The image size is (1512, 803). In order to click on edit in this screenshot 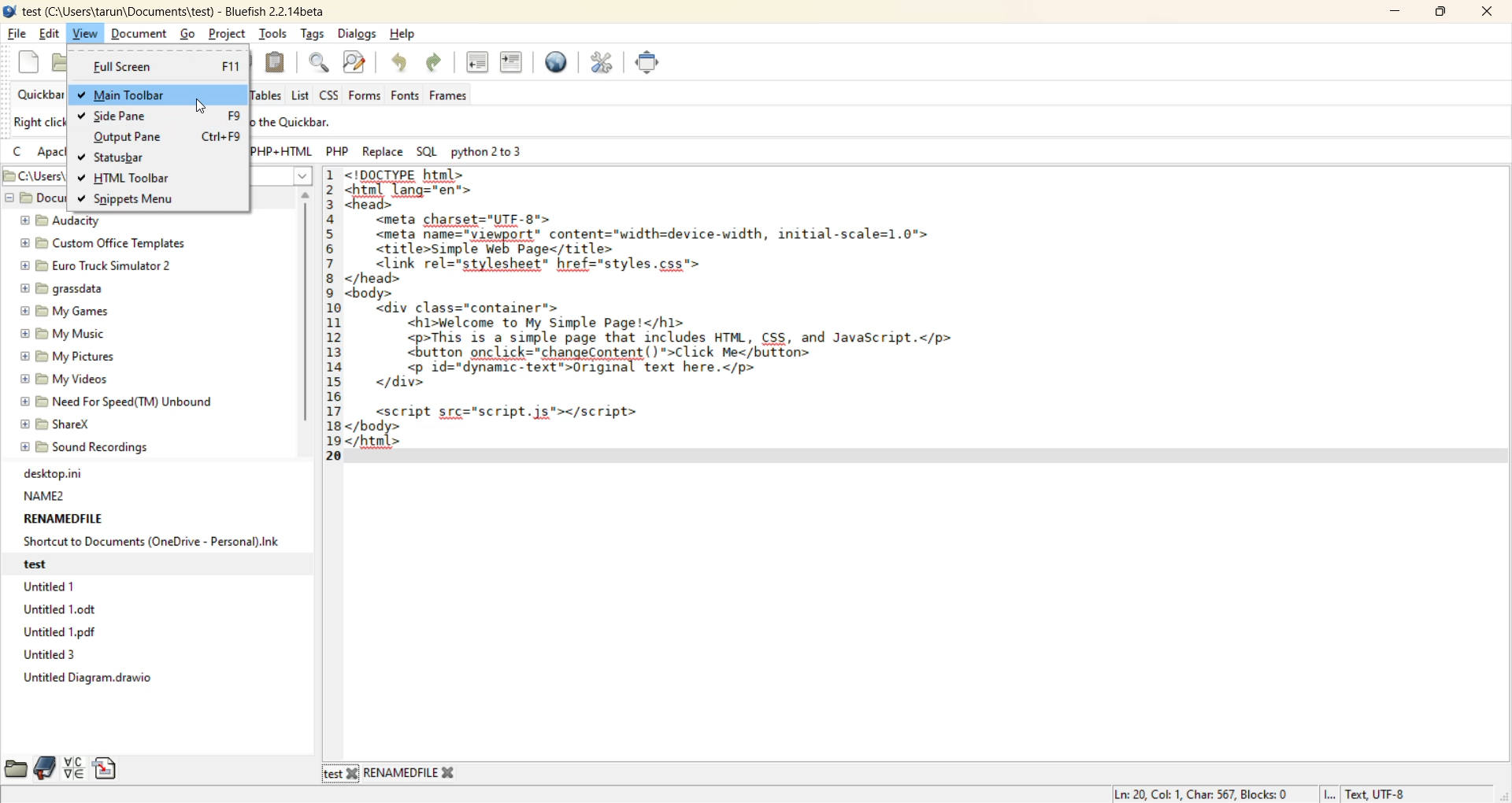, I will do `click(51, 35)`.